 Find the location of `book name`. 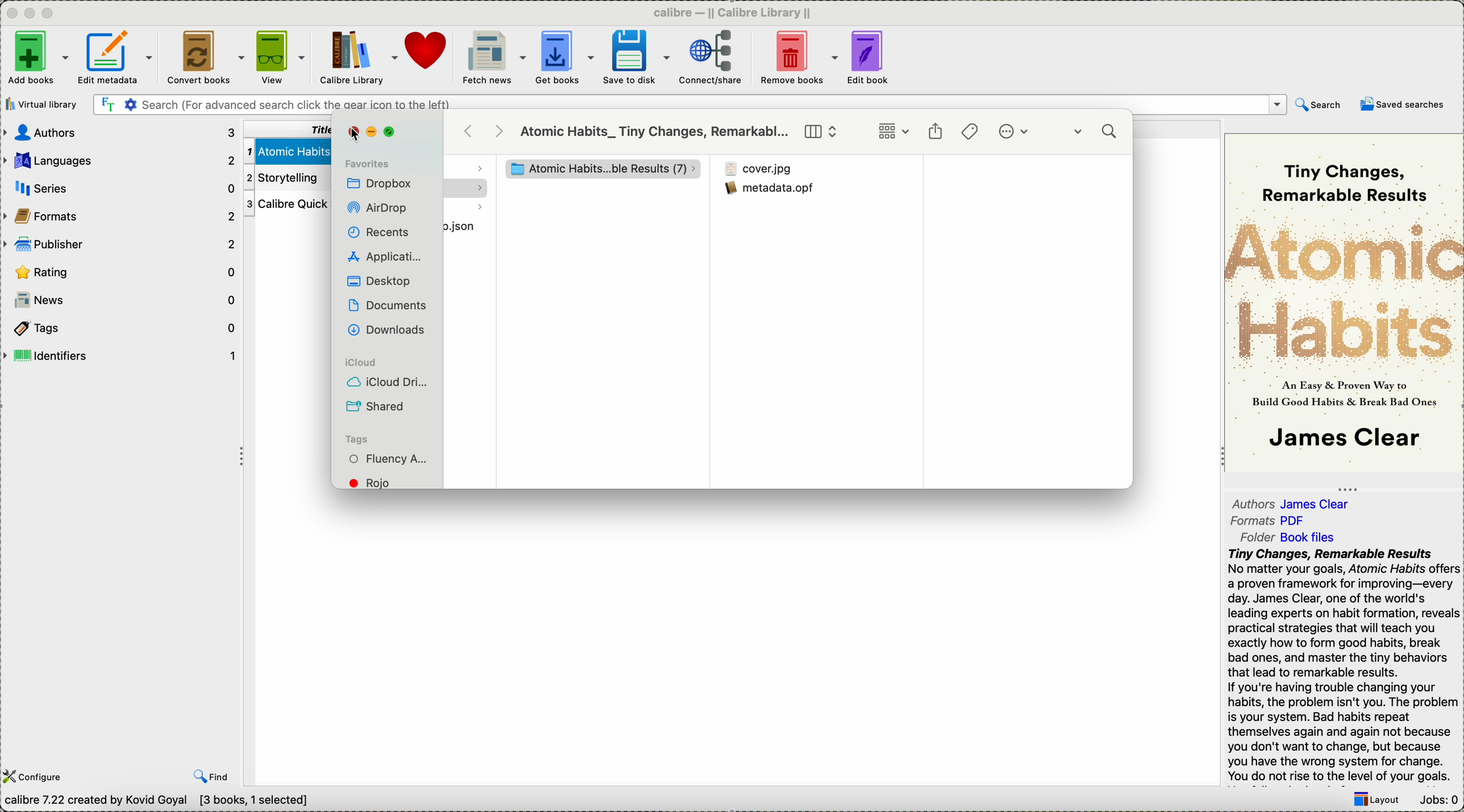

book name is located at coordinates (655, 132).